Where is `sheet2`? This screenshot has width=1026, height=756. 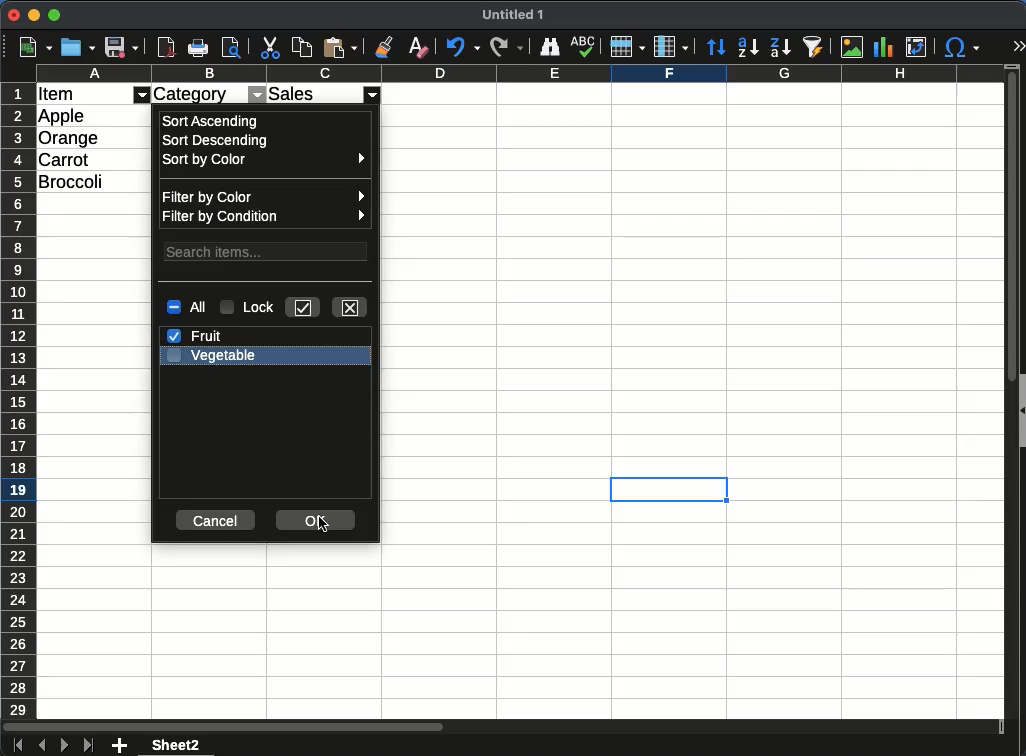 sheet2 is located at coordinates (179, 745).